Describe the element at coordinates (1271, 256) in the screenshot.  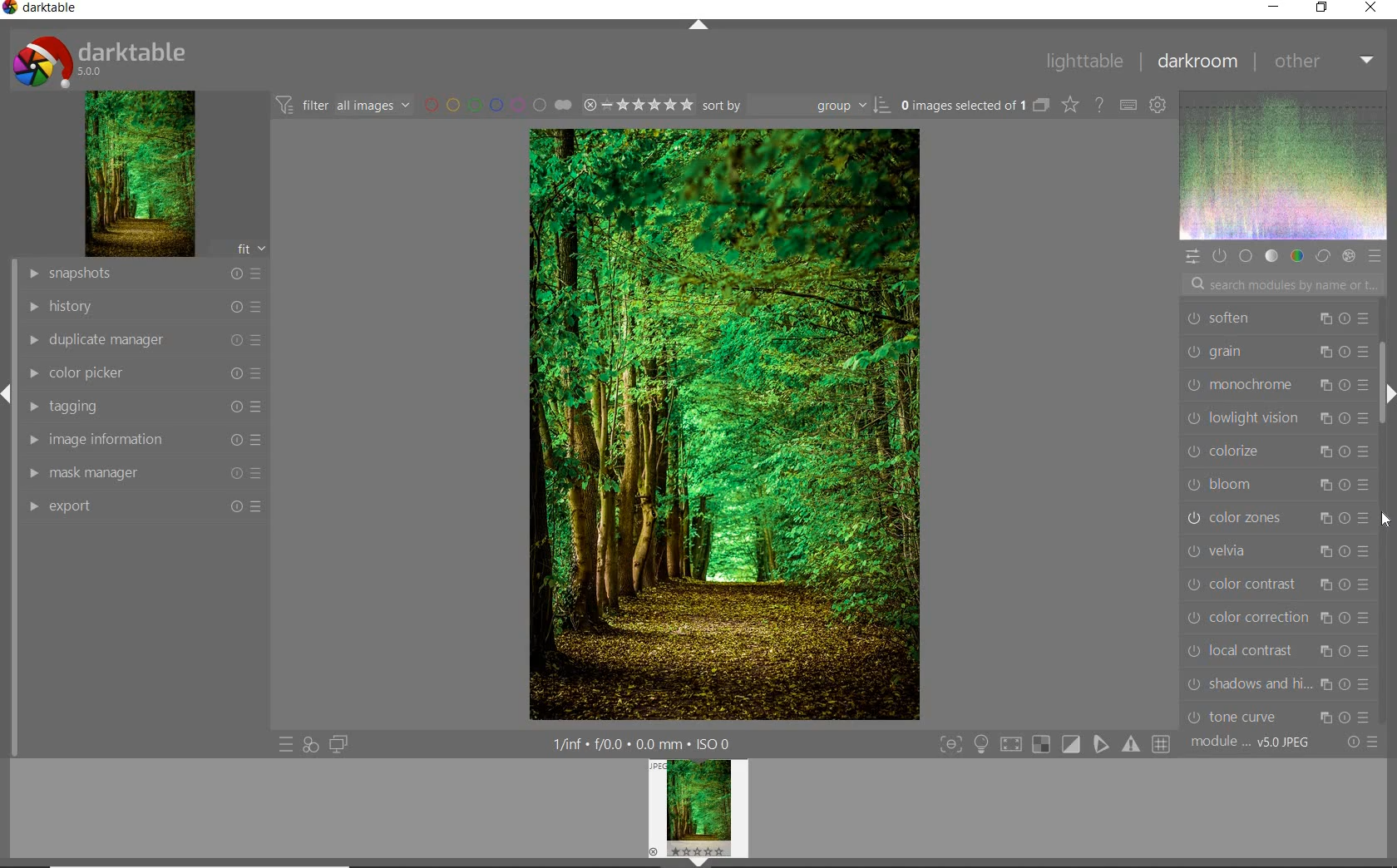
I see `TONE ` at that location.